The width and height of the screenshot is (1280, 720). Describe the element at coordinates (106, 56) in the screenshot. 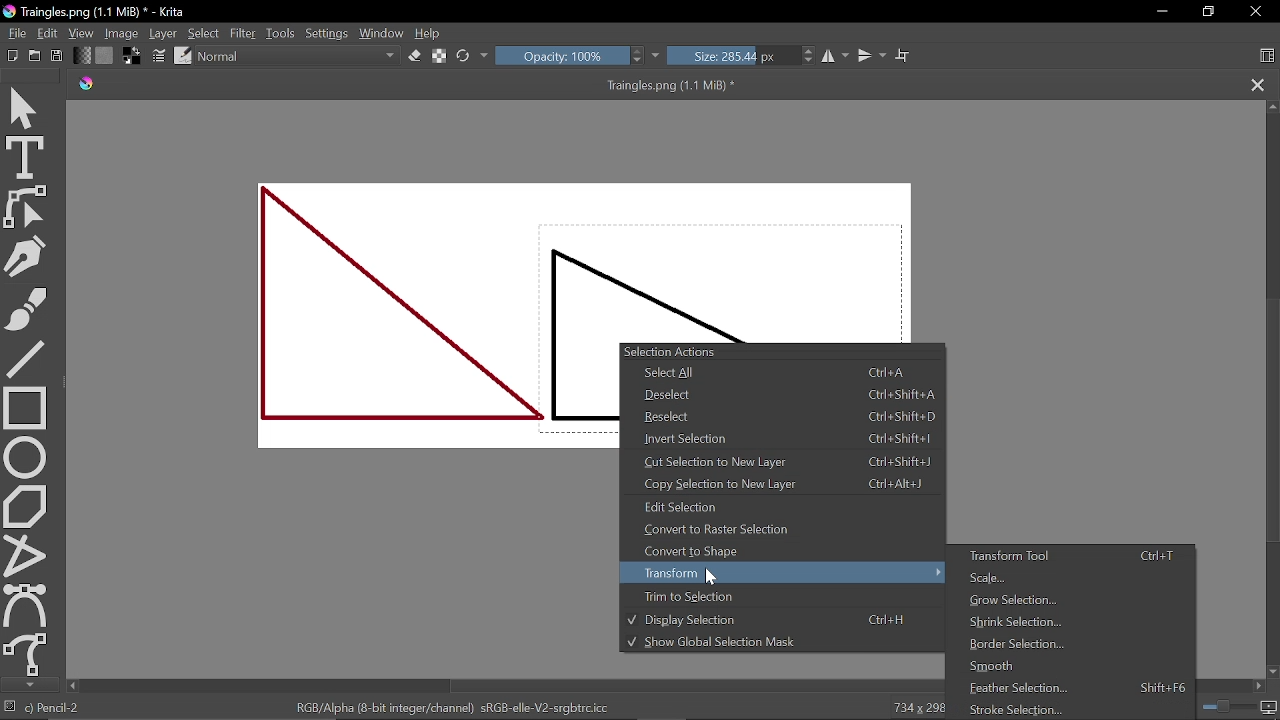

I see `Pattern fill` at that location.